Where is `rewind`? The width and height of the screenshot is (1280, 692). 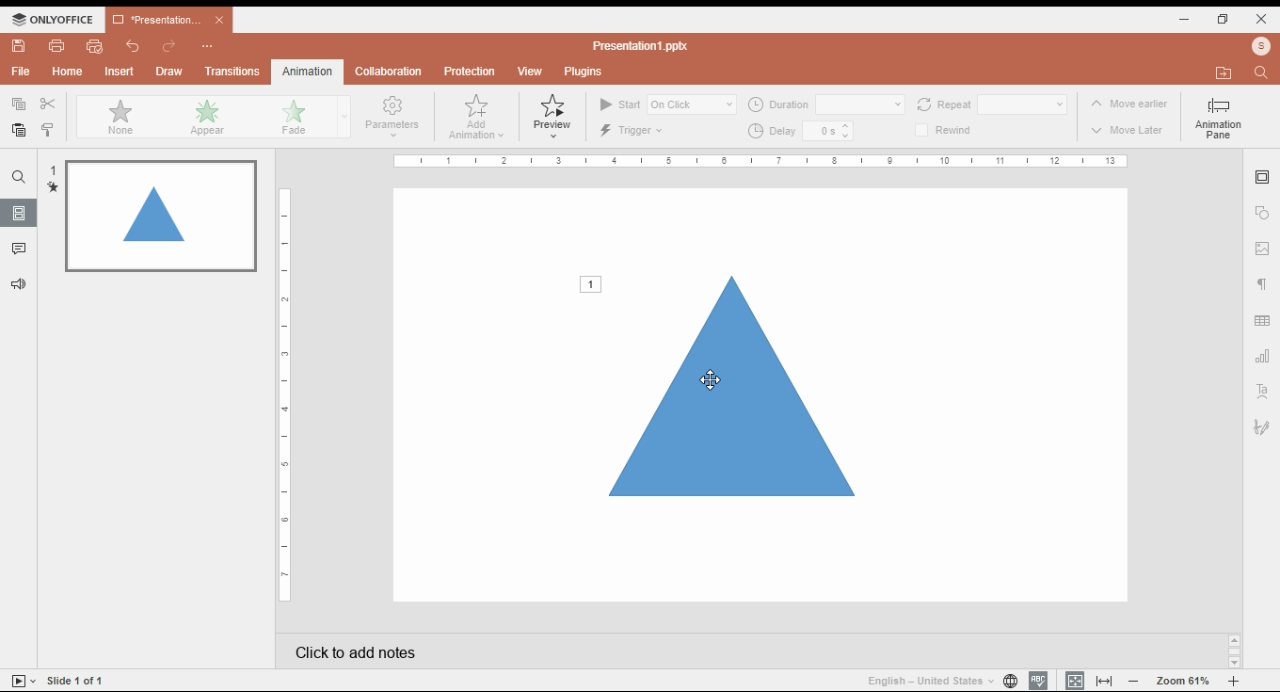 rewind is located at coordinates (945, 130).